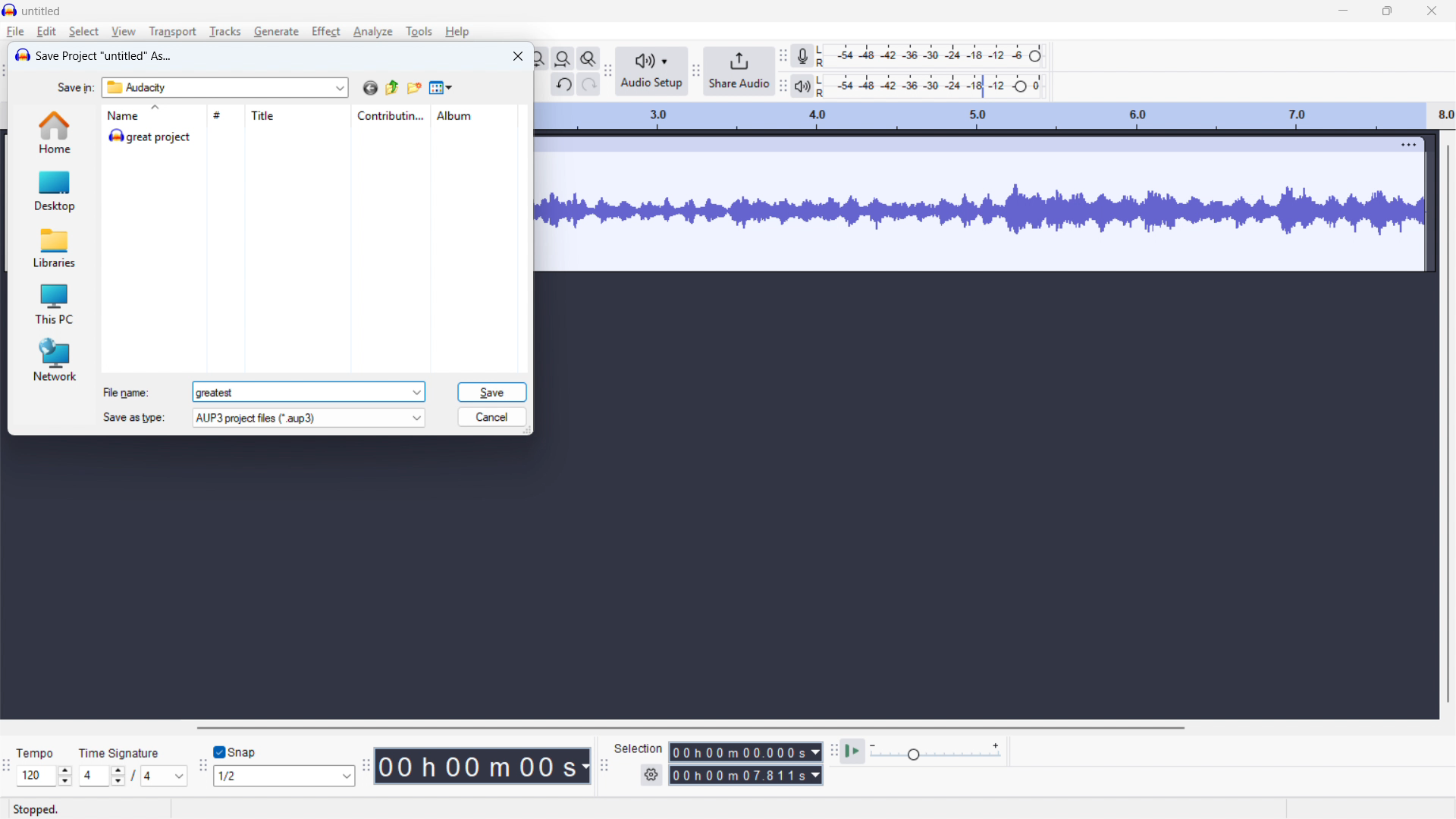  What do you see at coordinates (605, 764) in the screenshot?
I see `selection toolbar` at bounding box center [605, 764].